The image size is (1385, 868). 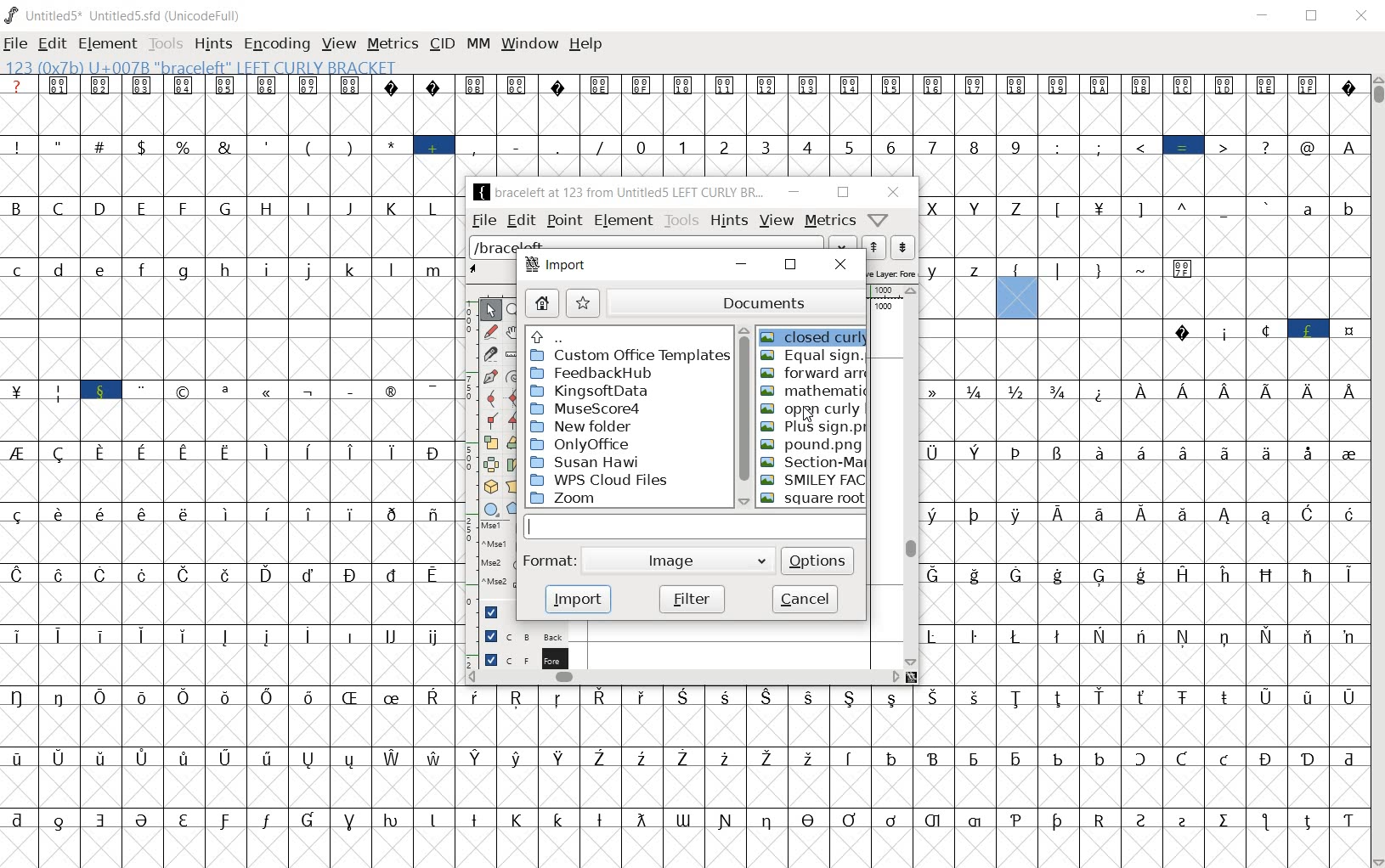 What do you see at coordinates (812, 336) in the screenshot?
I see `closed curly` at bounding box center [812, 336].